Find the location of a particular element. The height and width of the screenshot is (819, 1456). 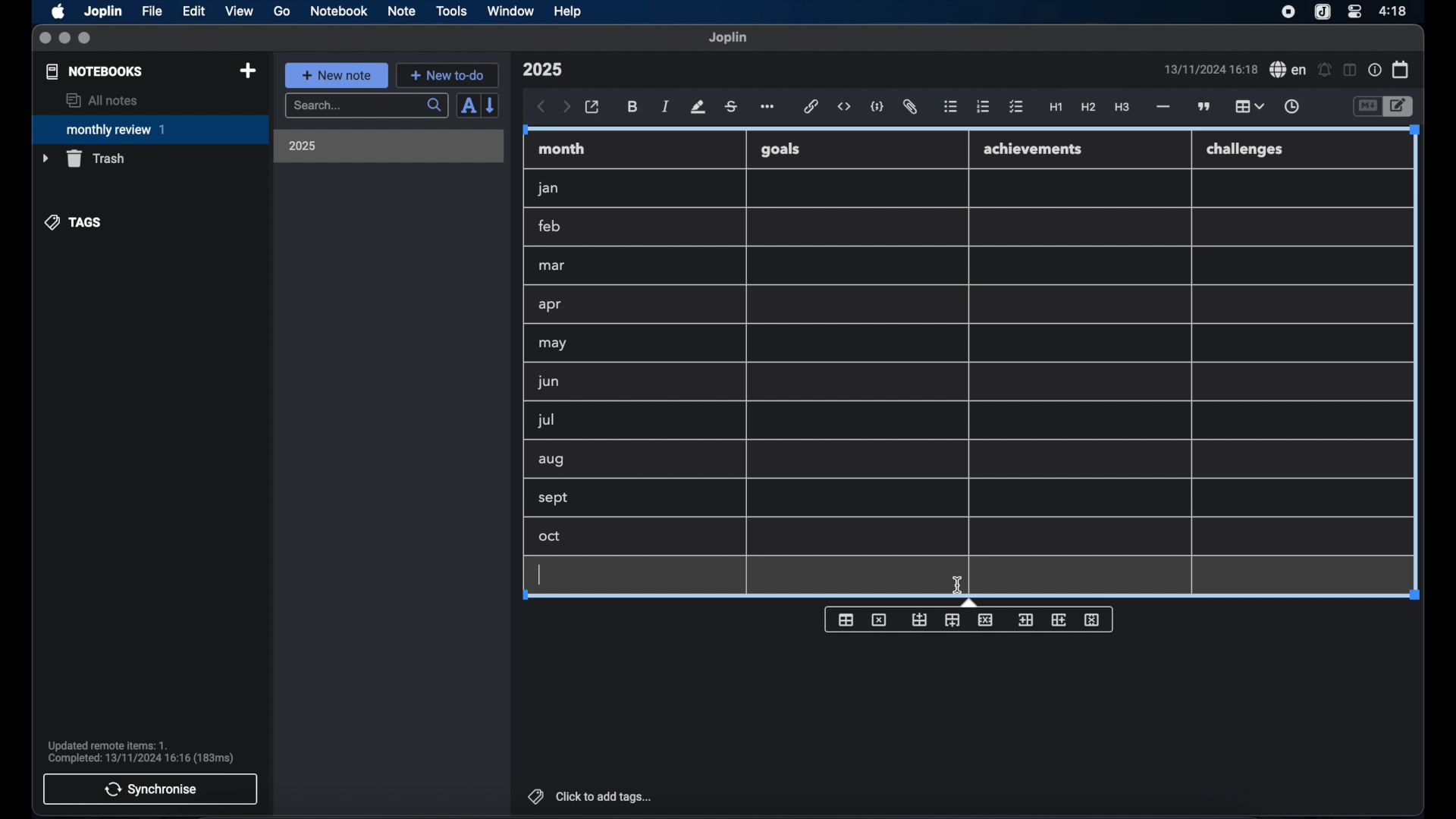

sept is located at coordinates (554, 499).